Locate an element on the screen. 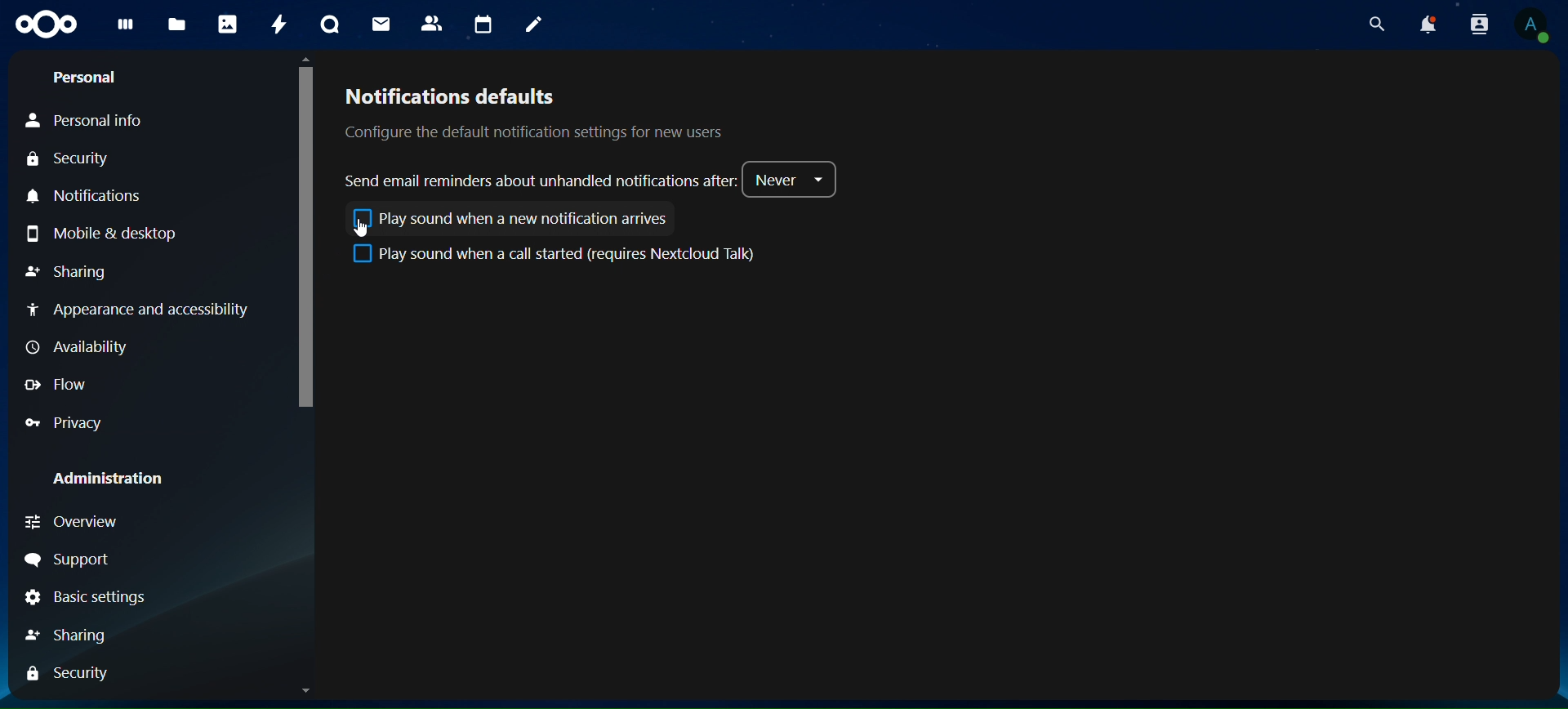 The width and height of the screenshot is (1568, 709). View Profile is located at coordinates (1534, 25).